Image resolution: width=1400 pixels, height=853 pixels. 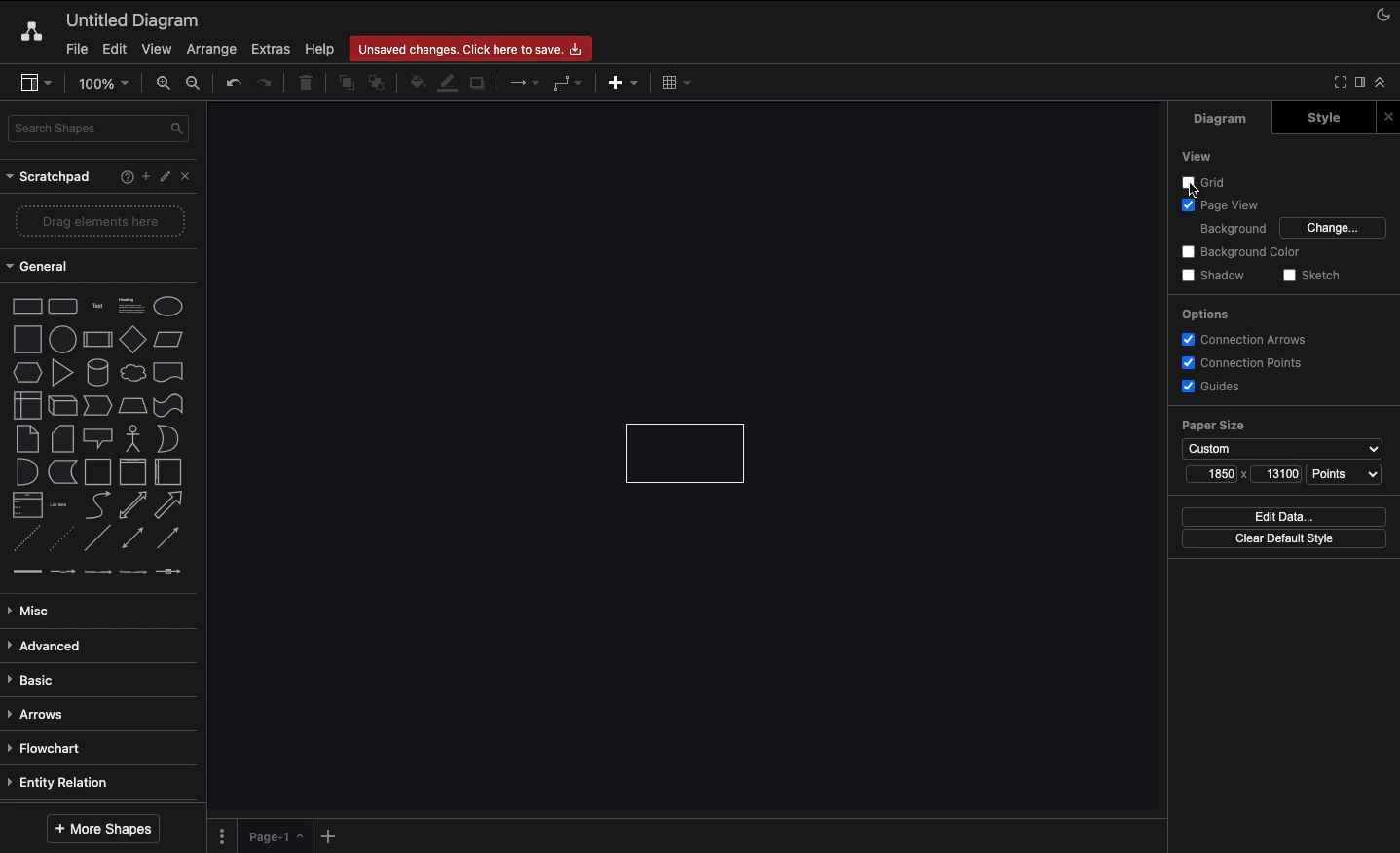 What do you see at coordinates (1360, 82) in the screenshot?
I see `Expand` at bounding box center [1360, 82].